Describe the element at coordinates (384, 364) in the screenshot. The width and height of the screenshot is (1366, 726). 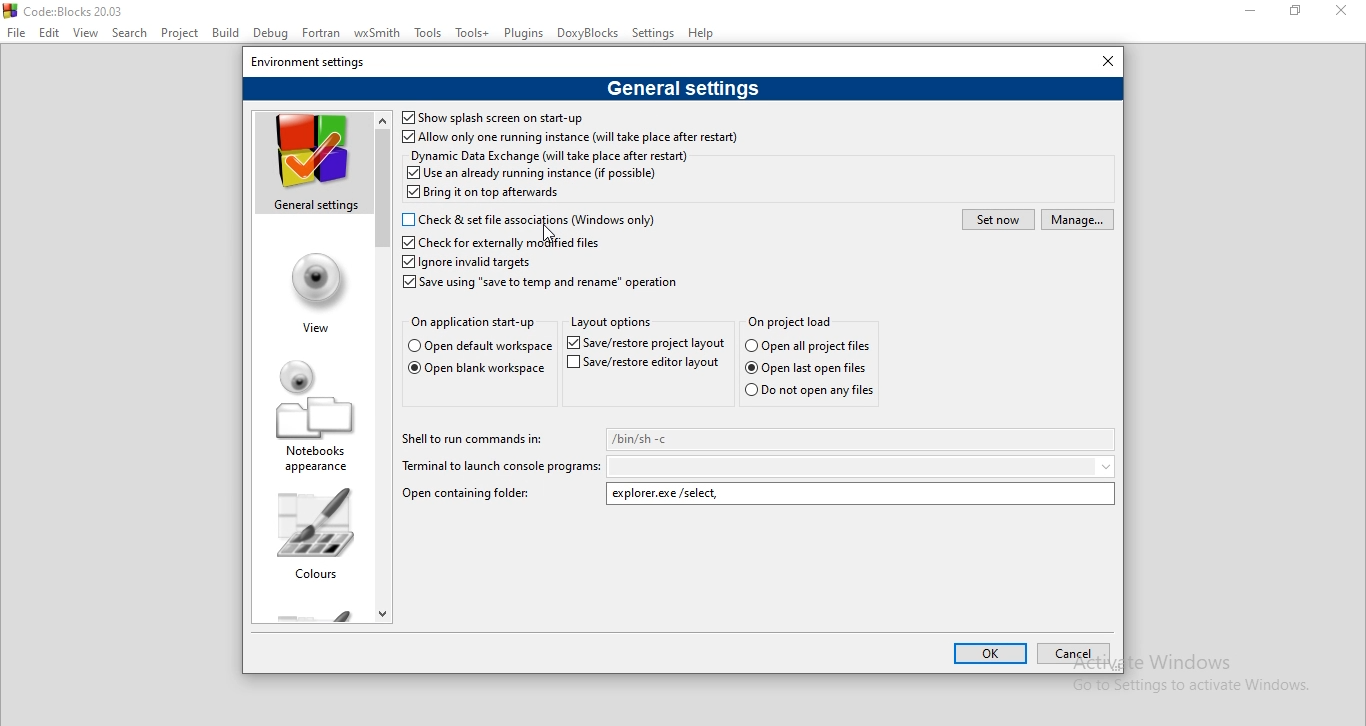
I see `scroll bar` at that location.